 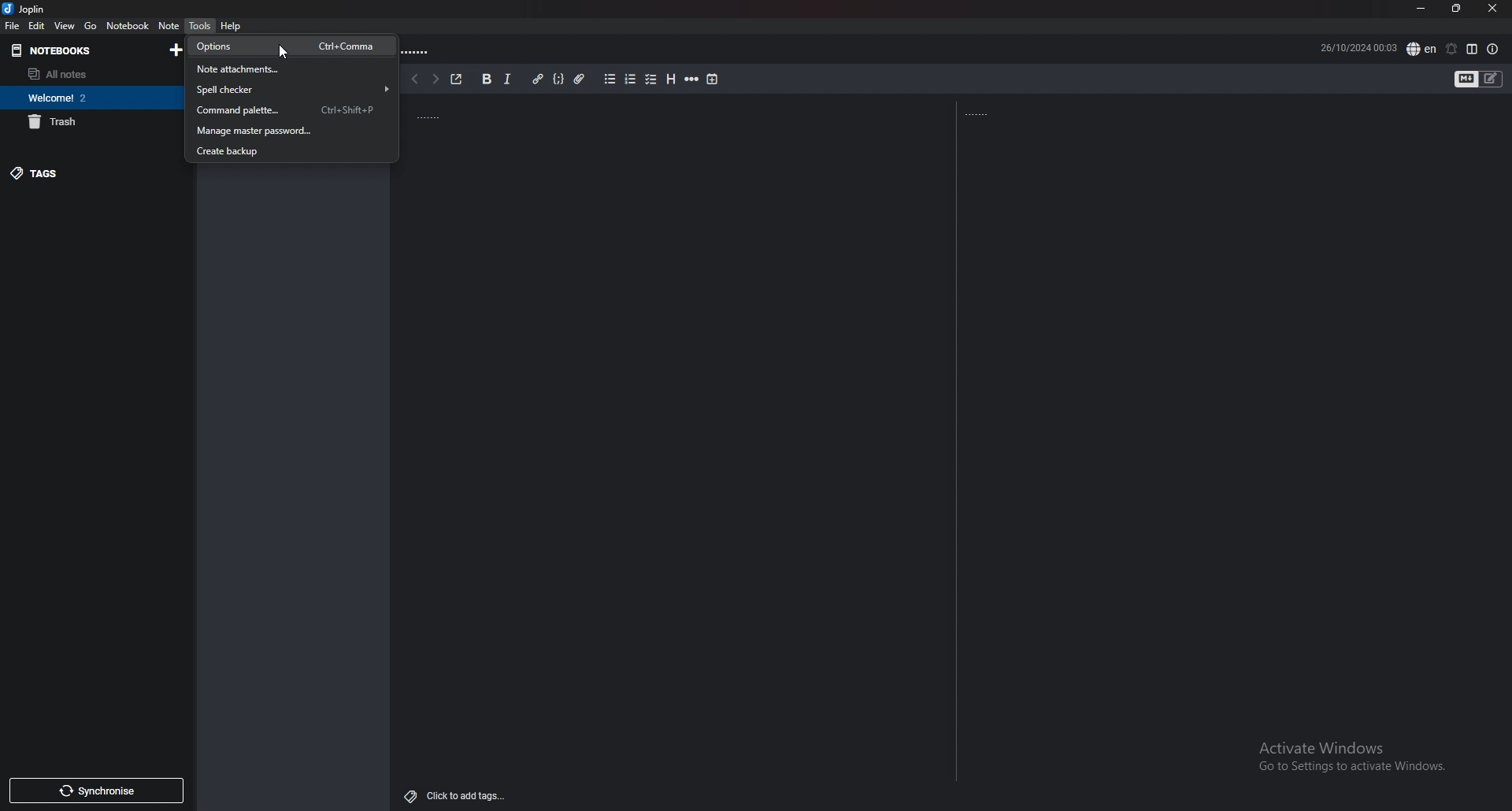 What do you see at coordinates (1491, 80) in the screenshot?
I see `toggle editors` at bounding box center [1491, 80].